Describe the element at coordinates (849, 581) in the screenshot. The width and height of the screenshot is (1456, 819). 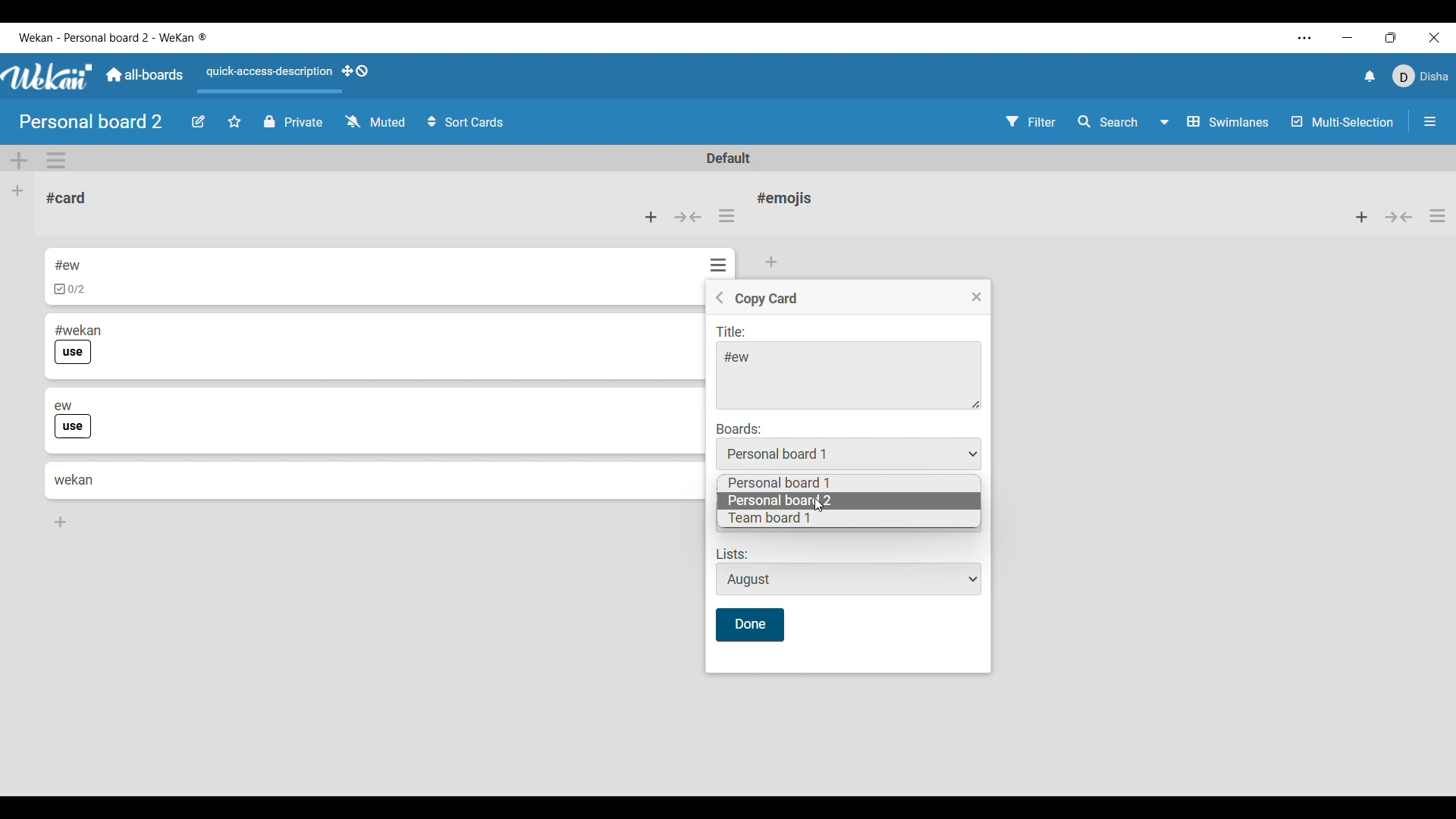
I see `Lists options` at that location.